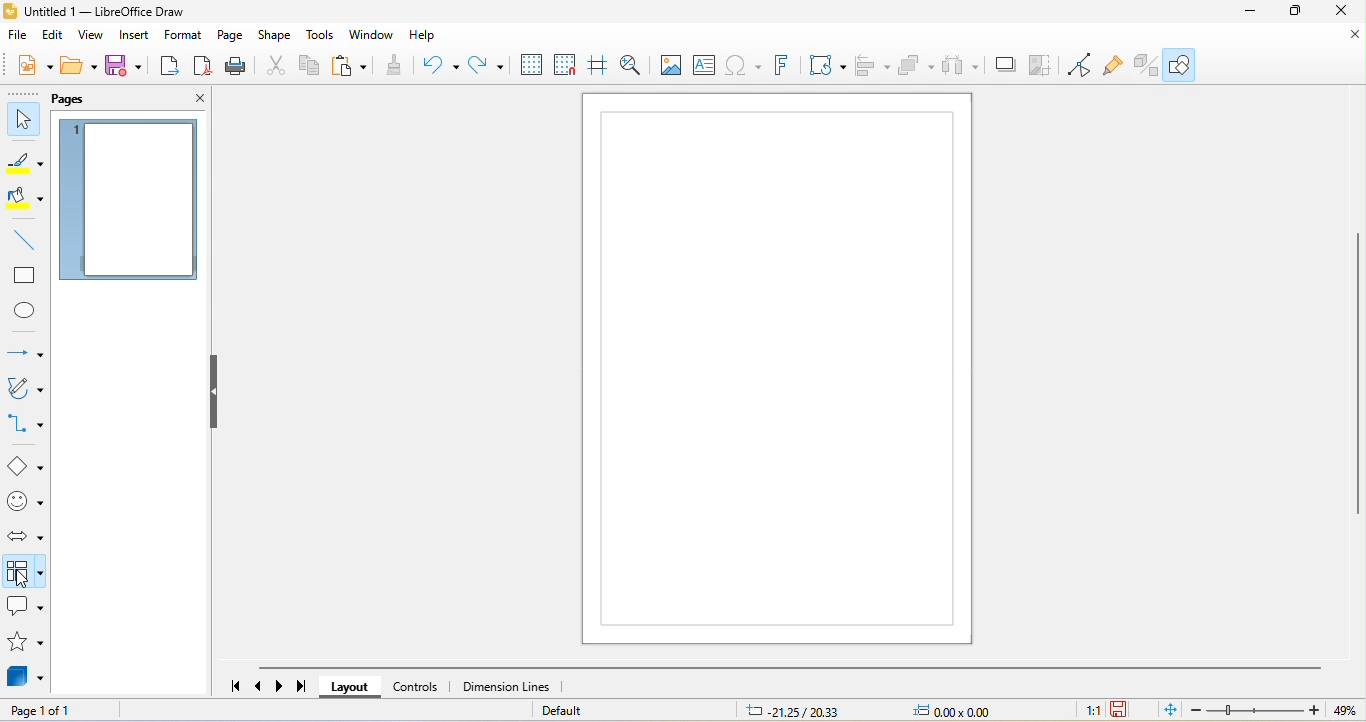 The height and width of the screenshot is (722, 1366). What do you see at coordinates (23, 580) in the screenshot?
I see `cursor movement` at bounding box center [23, 580].